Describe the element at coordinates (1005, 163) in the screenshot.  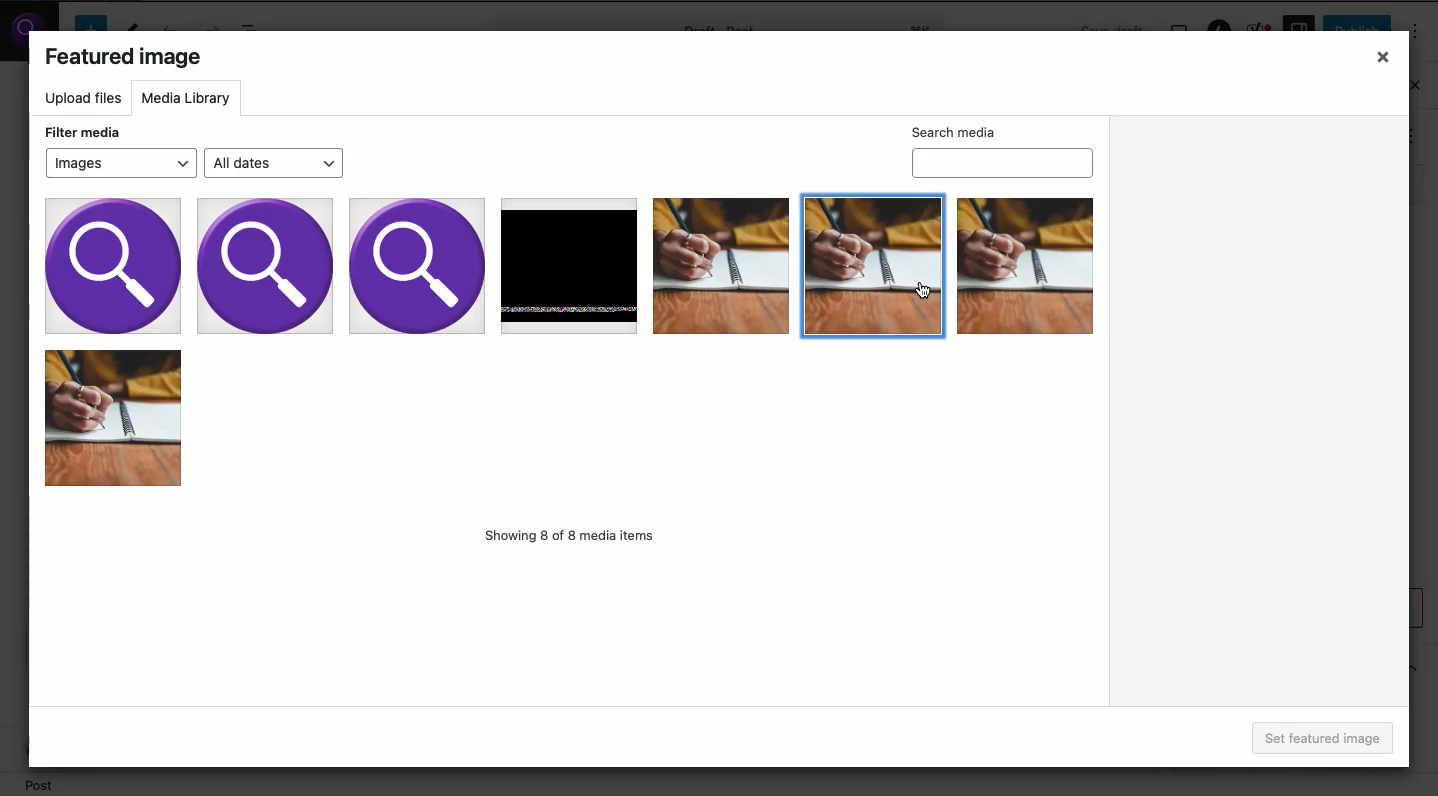
I see `Search media` at that location.